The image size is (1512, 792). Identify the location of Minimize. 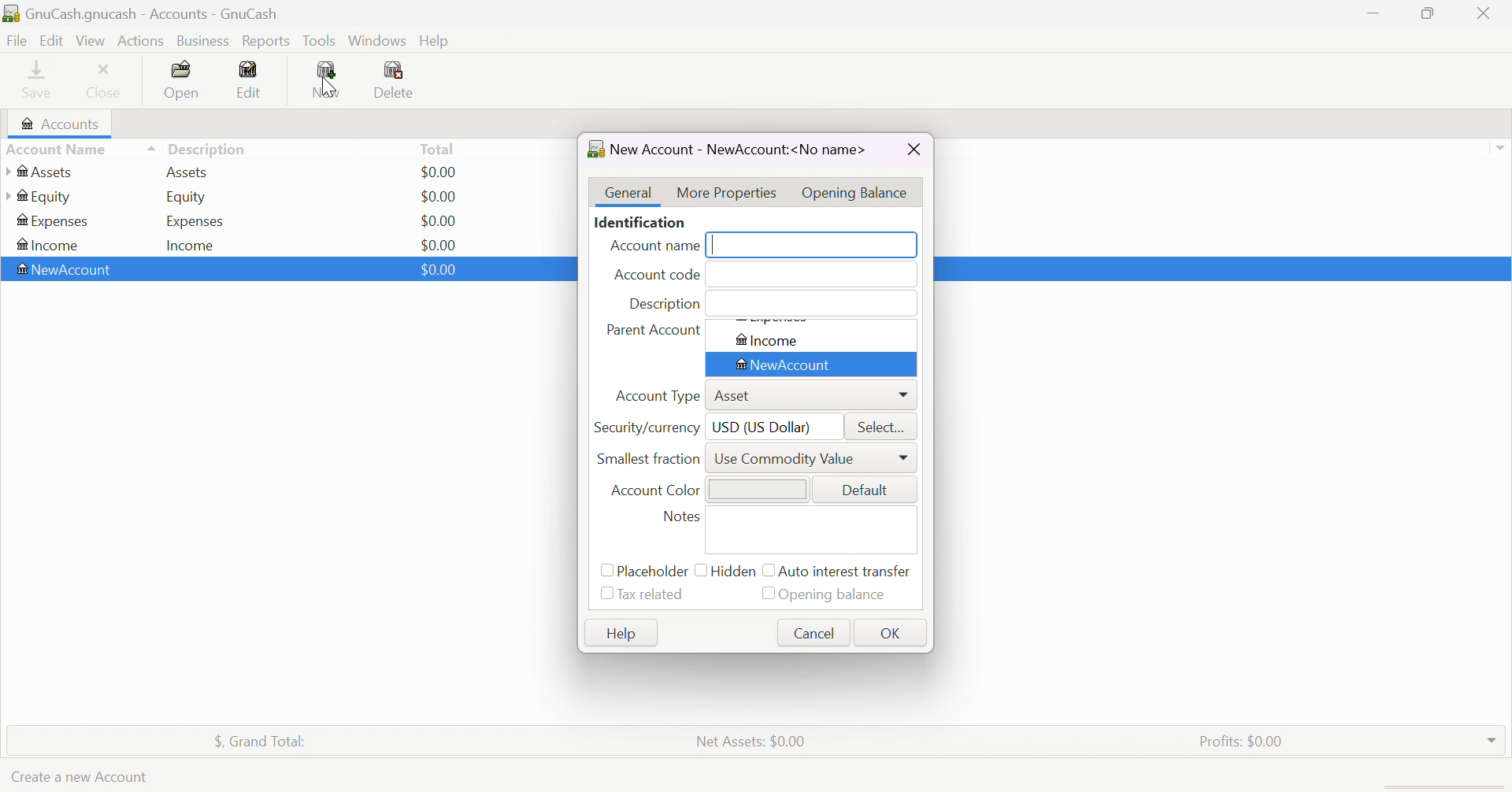
(1376, 13).